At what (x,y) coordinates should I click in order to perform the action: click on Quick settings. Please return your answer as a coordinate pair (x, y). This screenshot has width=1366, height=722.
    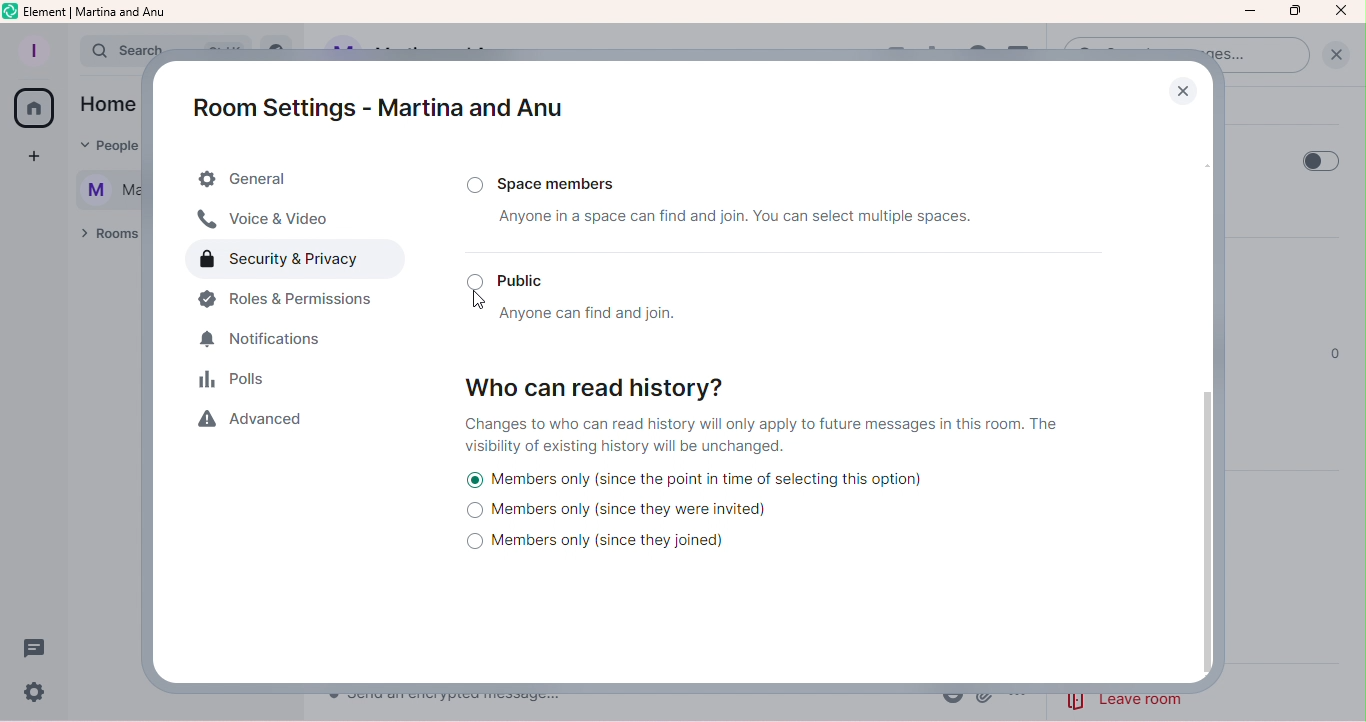
    Looking at the image, I should click on (34, 695).